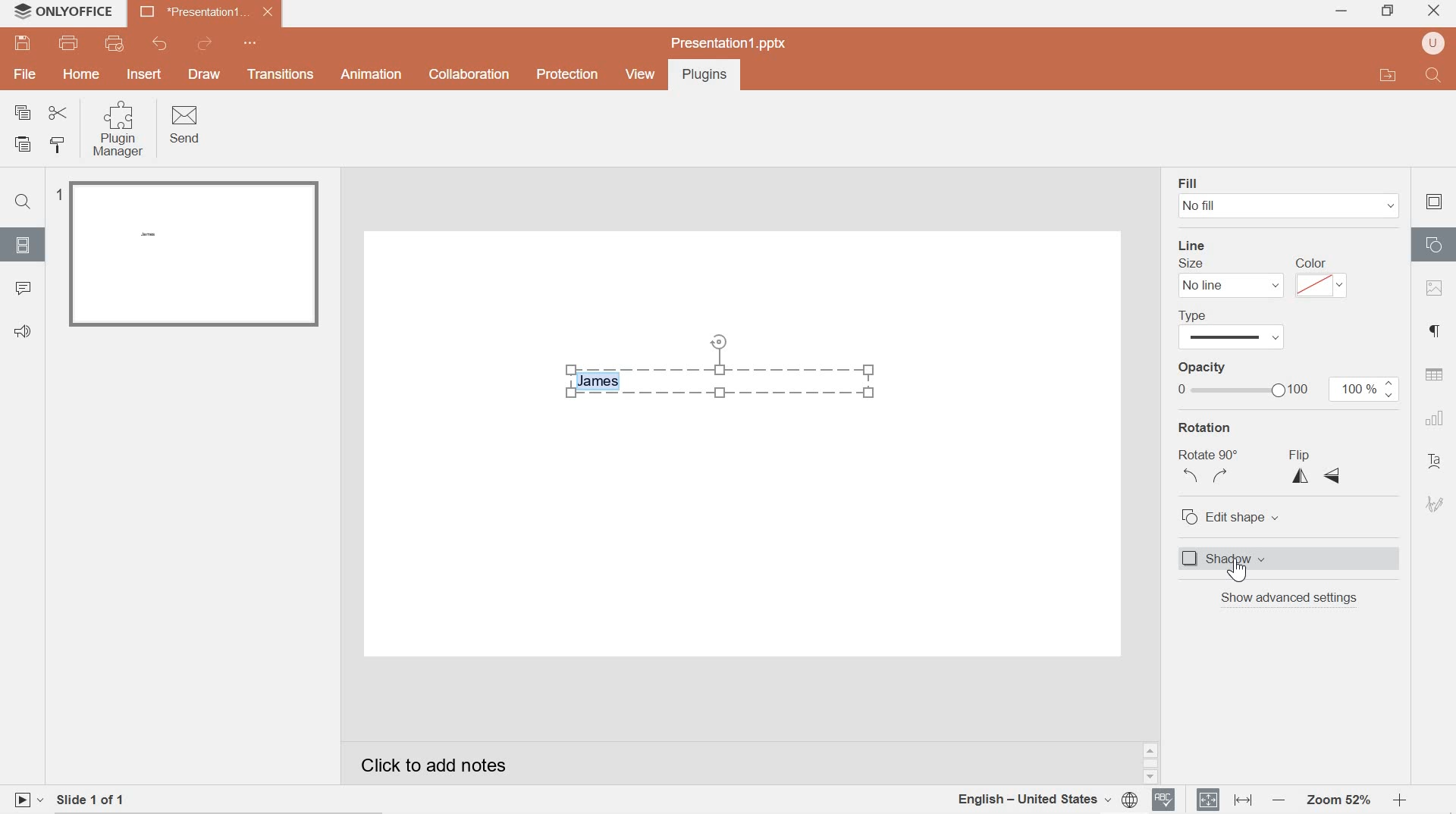 The width and height of the screenshot is (1456, 814). I want to click on presentation 1, so click(206, 12).